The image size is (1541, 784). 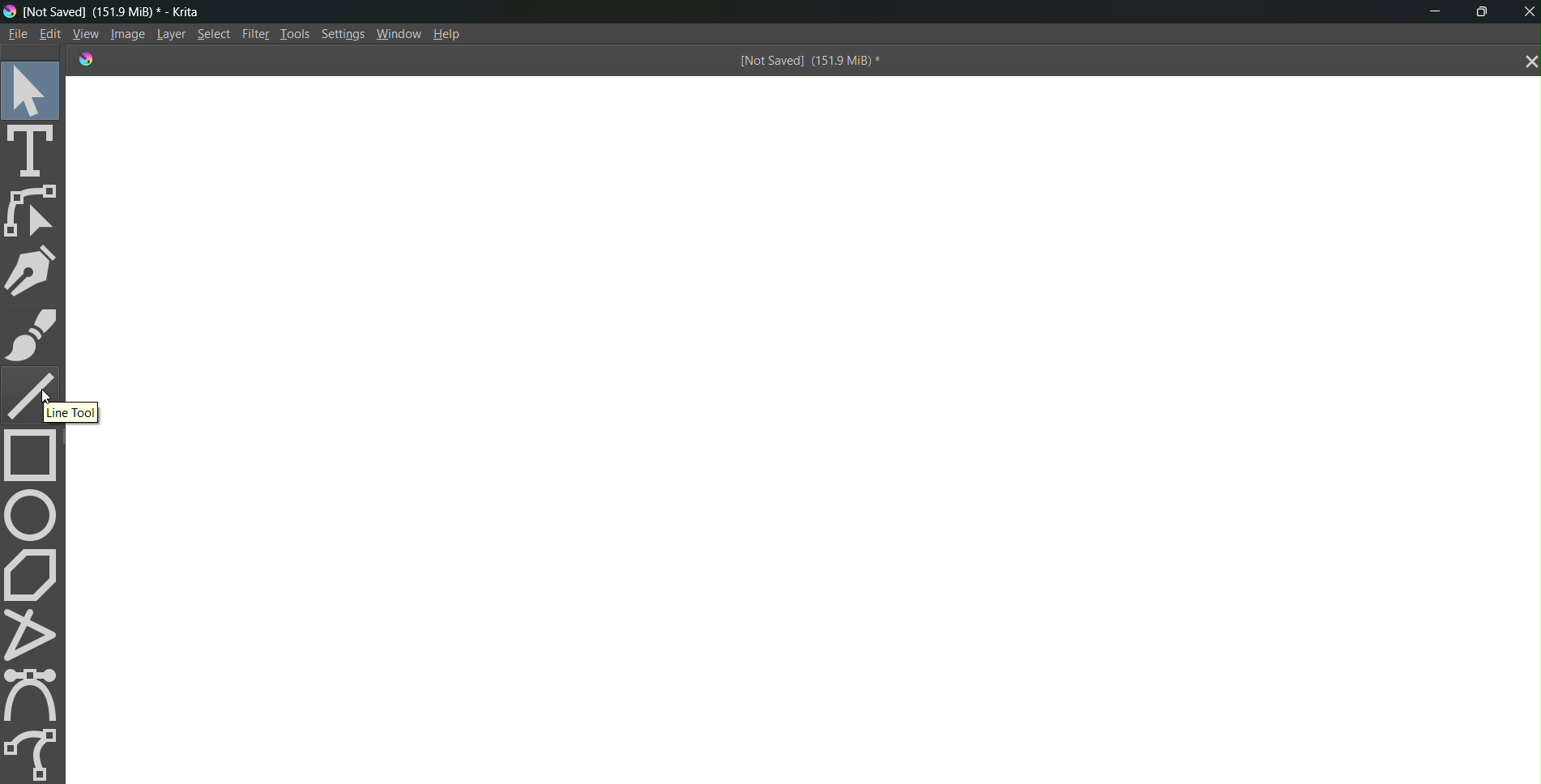 What do you see at coordinates (344, 36) in the screenshot?
I see `Settings` at bounding box center [344, 36].